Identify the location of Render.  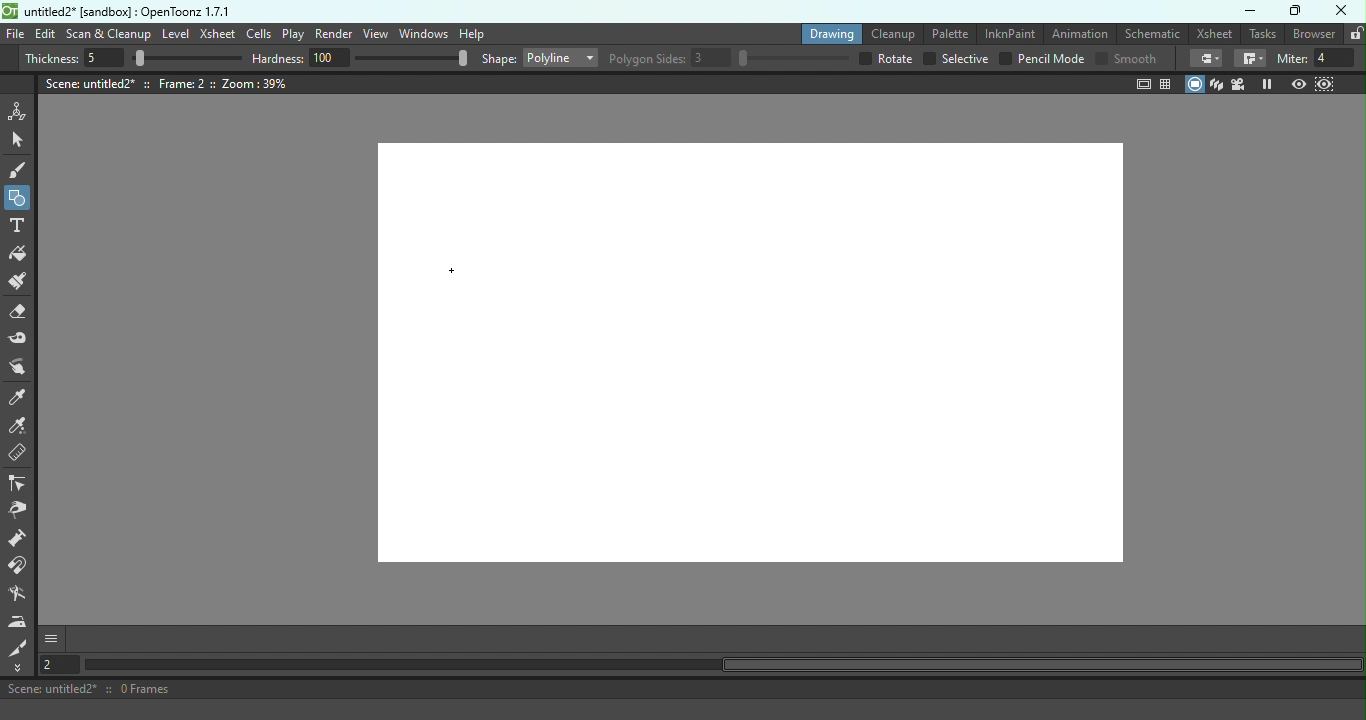
(334, 34).